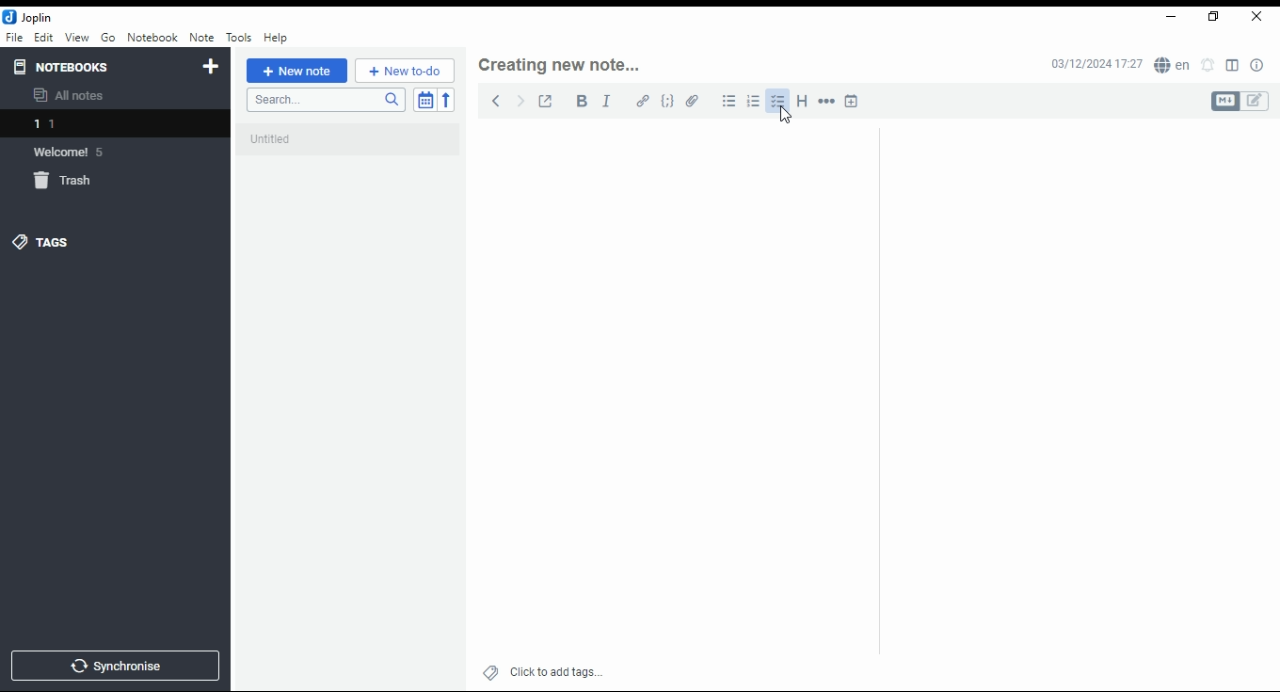  I want to click on search, so click(324, 99).